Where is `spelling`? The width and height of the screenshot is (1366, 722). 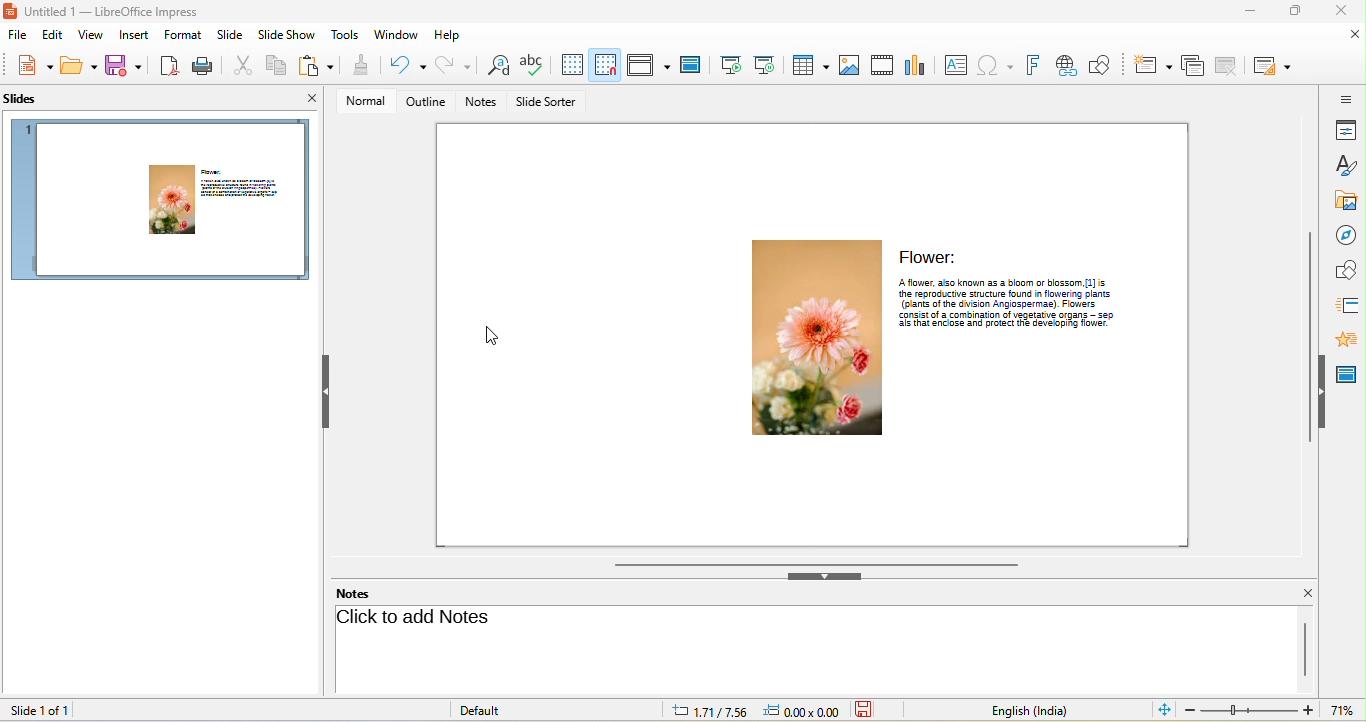 spelling is located at coordinates (532, 66).